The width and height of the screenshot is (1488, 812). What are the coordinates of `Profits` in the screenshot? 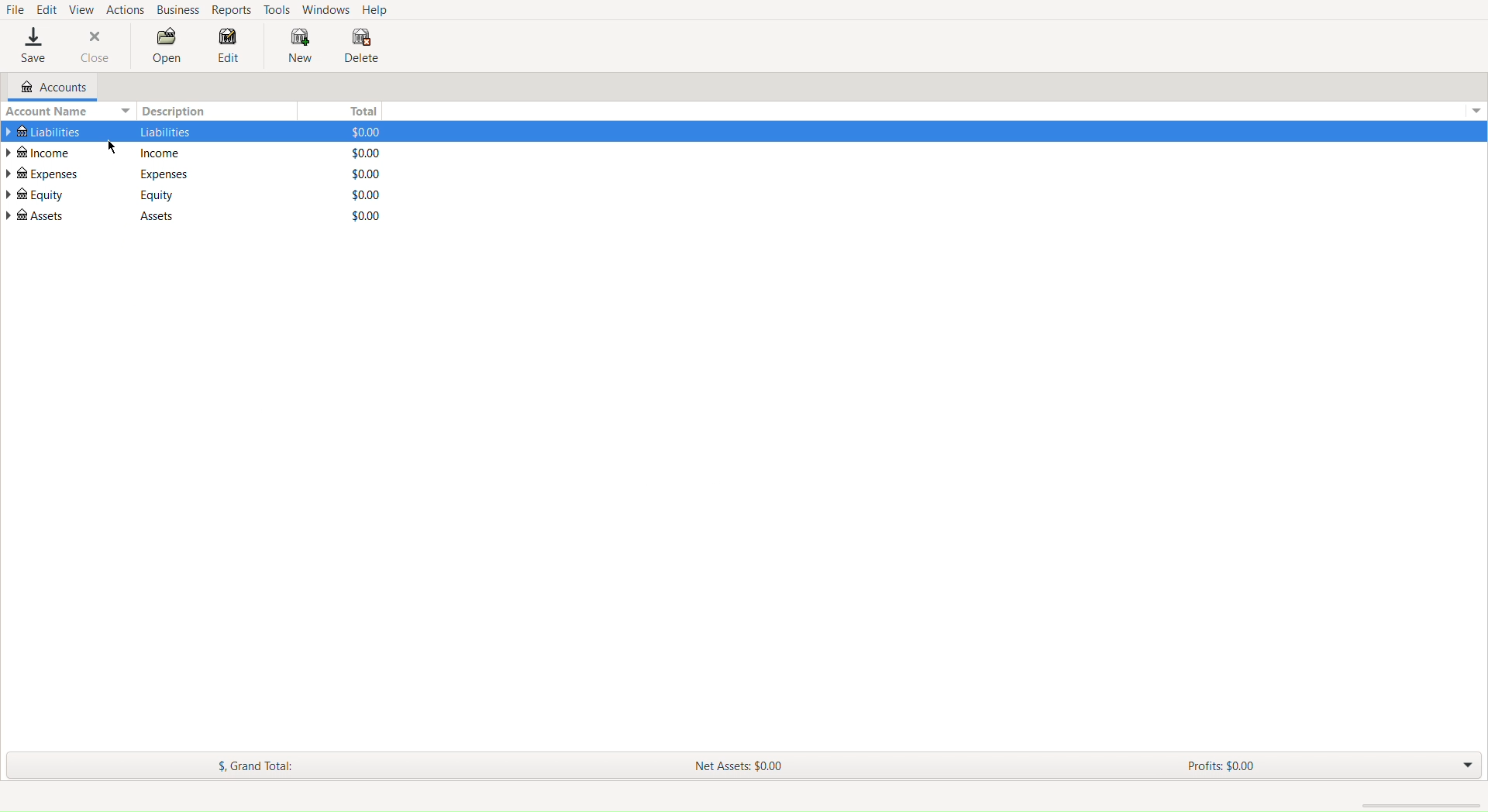 It's located at (1222, 765).